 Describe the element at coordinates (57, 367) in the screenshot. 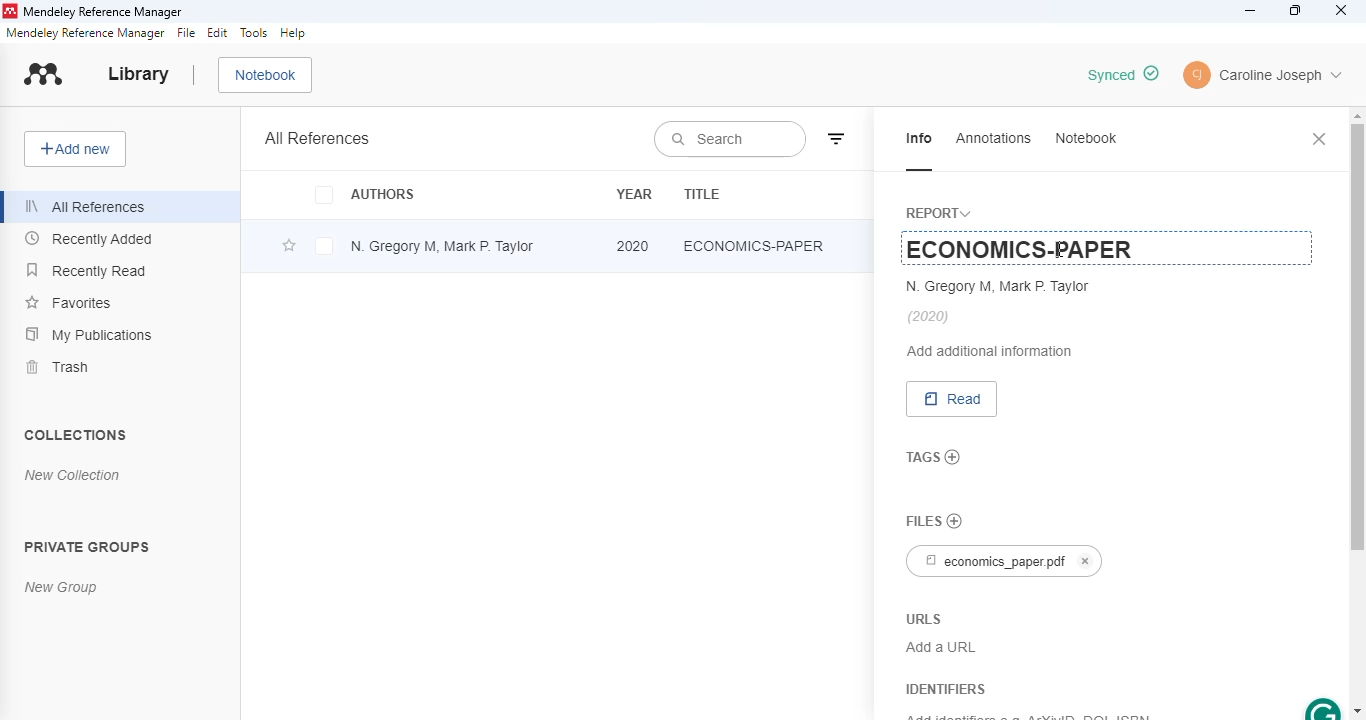

I see `trash` at that location.